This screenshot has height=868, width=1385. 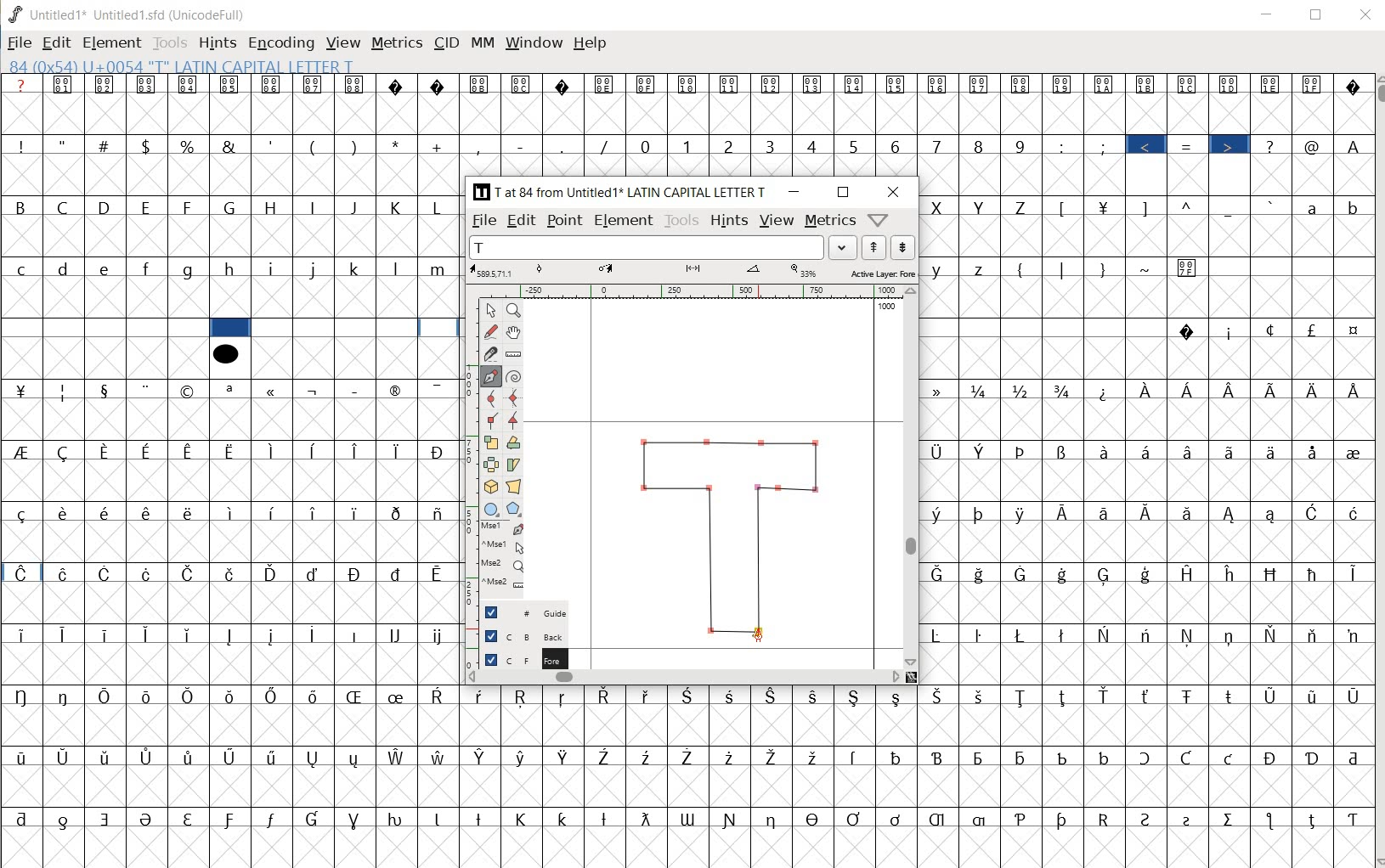 What do you see at coordinates (399, 85) in the screenshot?
I see `Symbol` at bounding box center [399, 85].